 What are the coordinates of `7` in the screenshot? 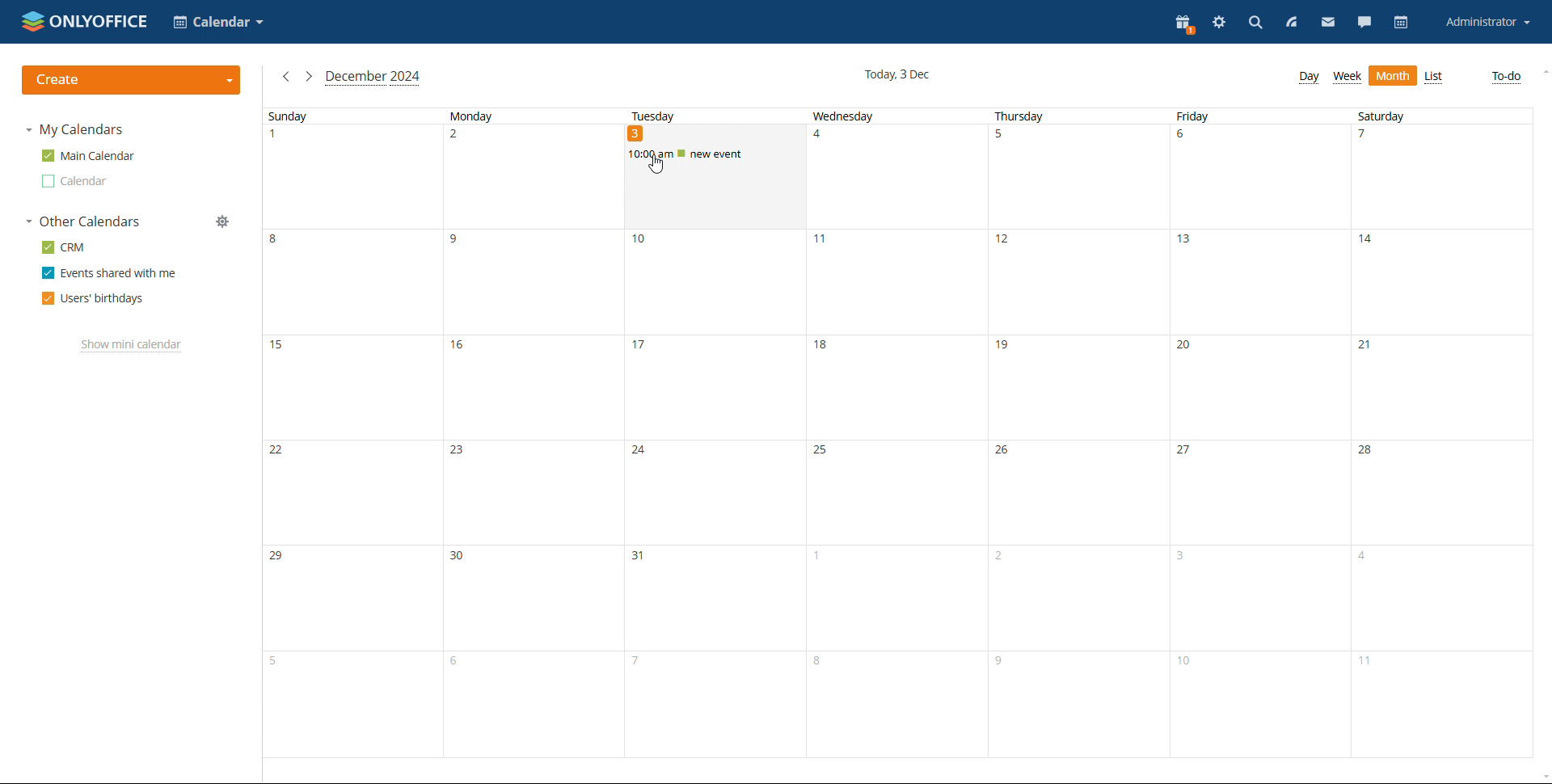 It's located at (712, 704).